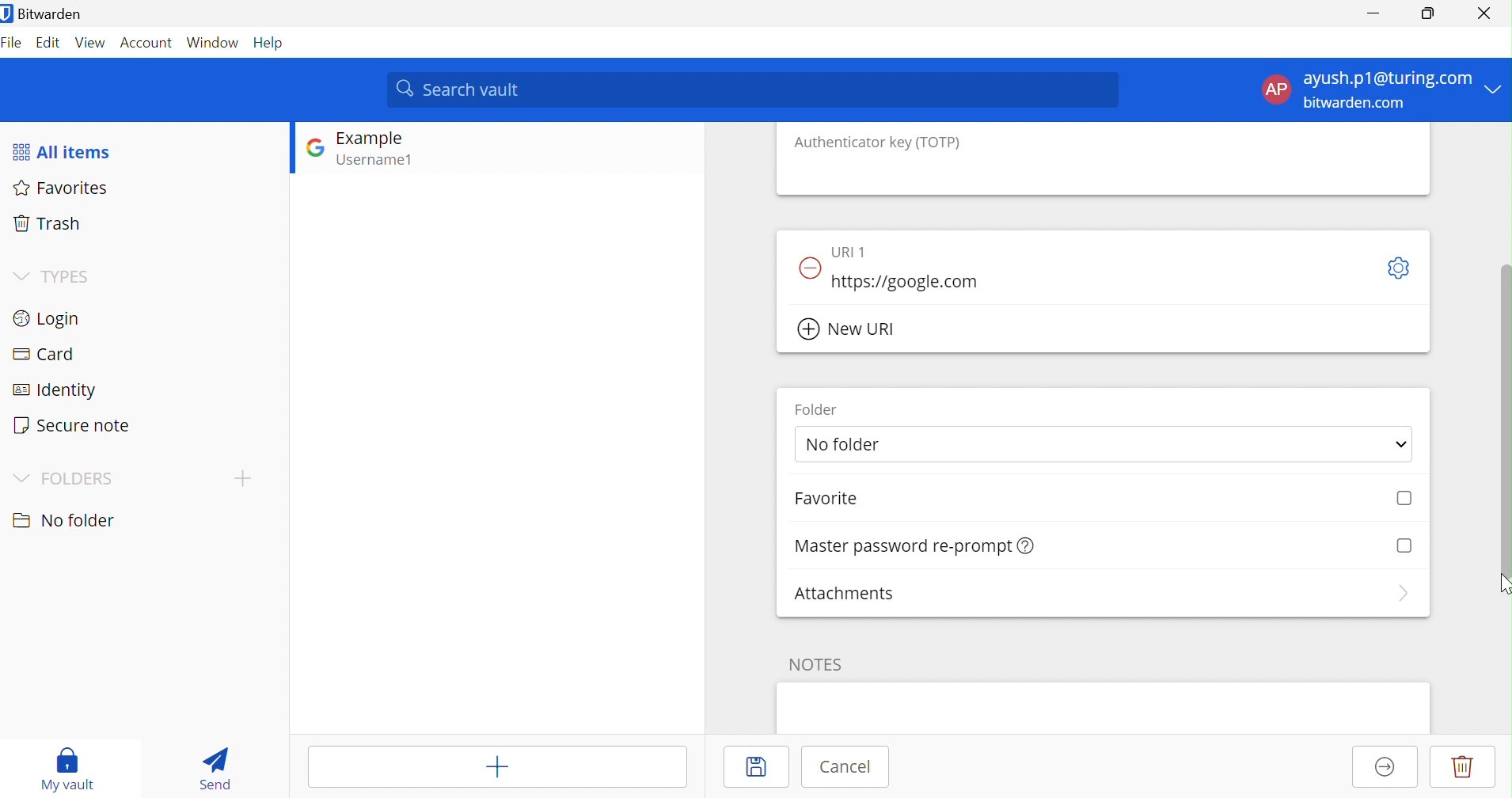 This screenshot has width=1512, height=798. I want to click on Account, so click(146, 42).